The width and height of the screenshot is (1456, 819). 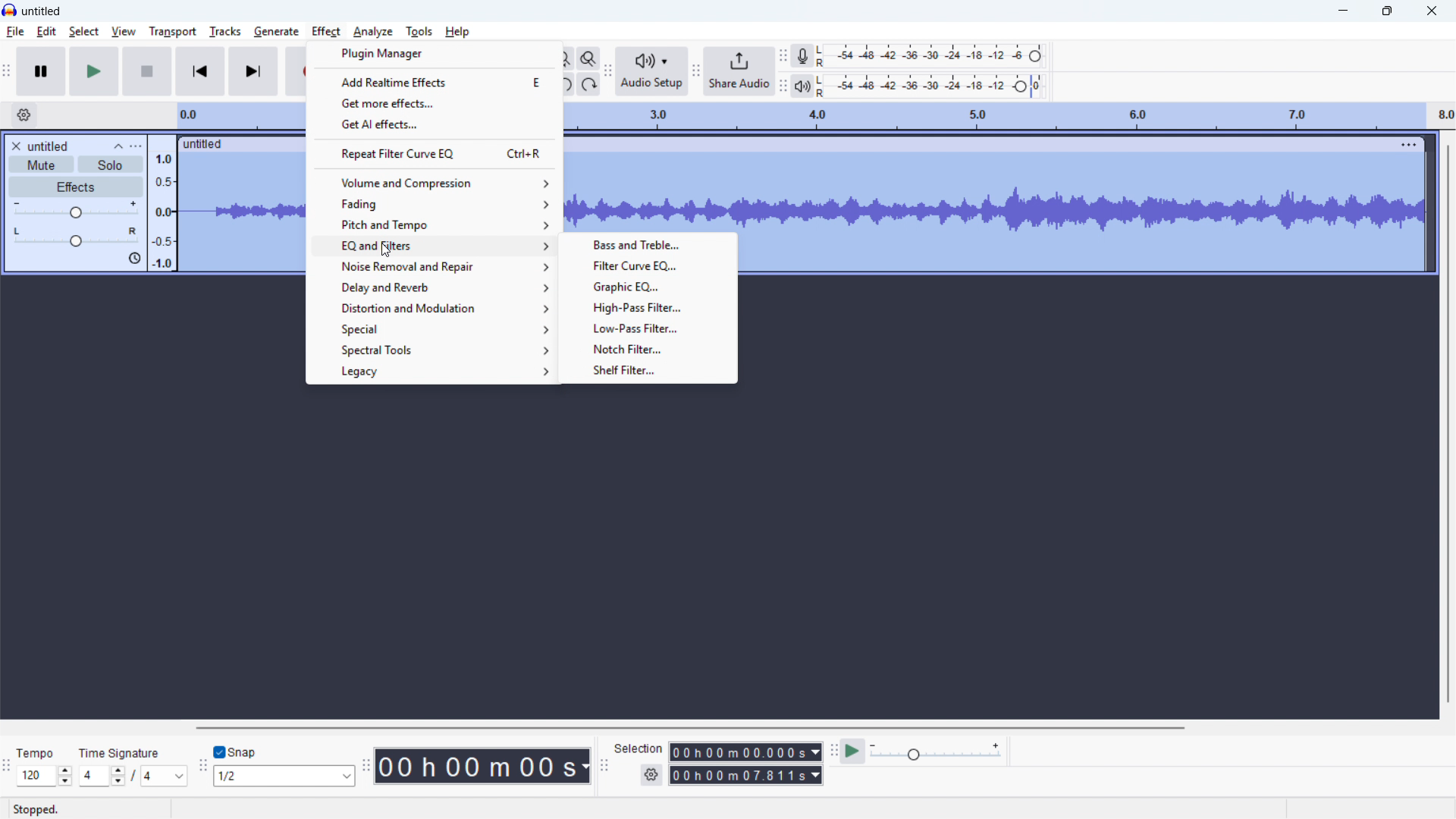 I want to click on Re-do , so click(x=588, y=84).